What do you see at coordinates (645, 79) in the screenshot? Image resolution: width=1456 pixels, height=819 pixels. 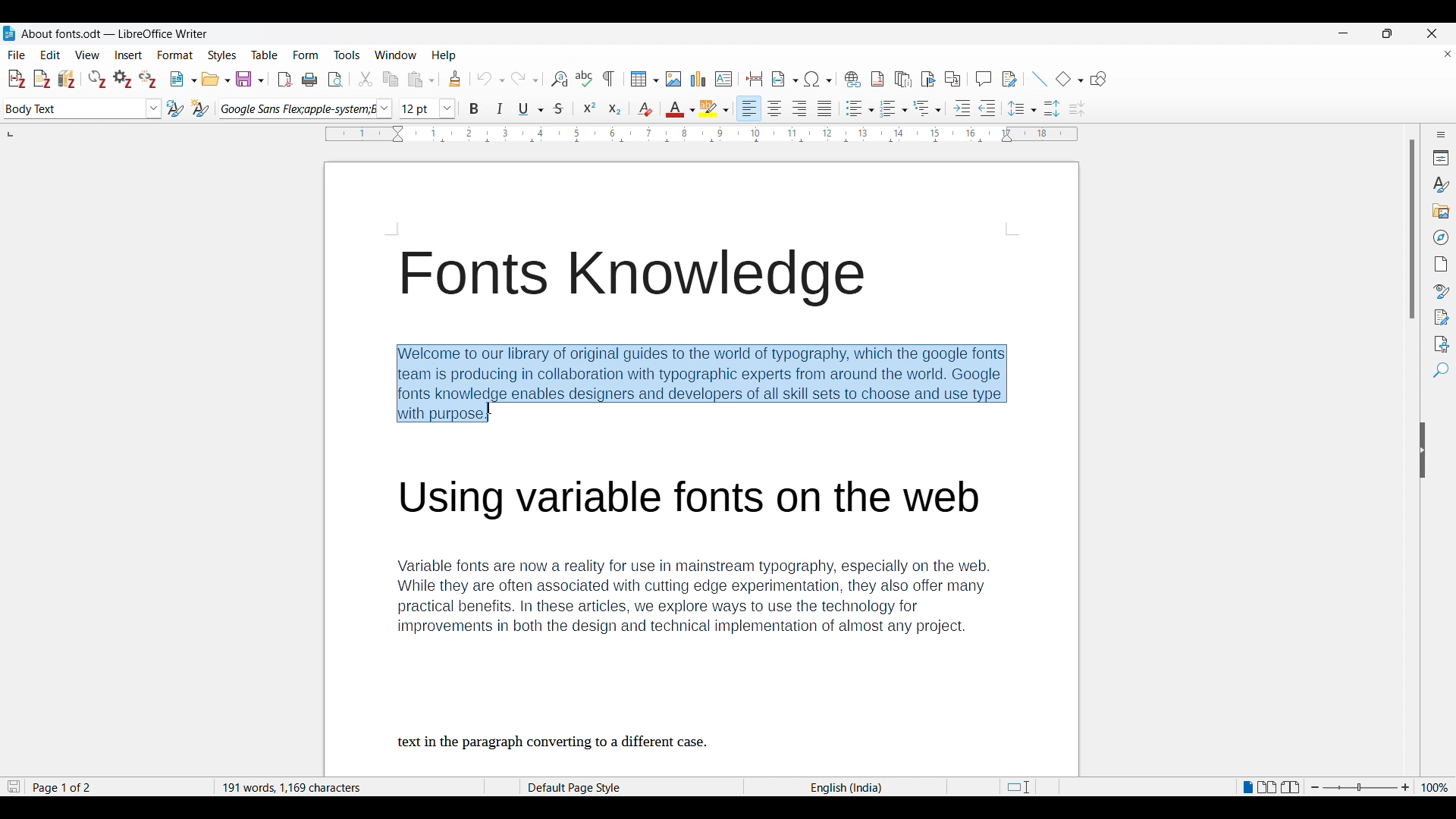 I see `Insert table` at bounding box center [645, 79].